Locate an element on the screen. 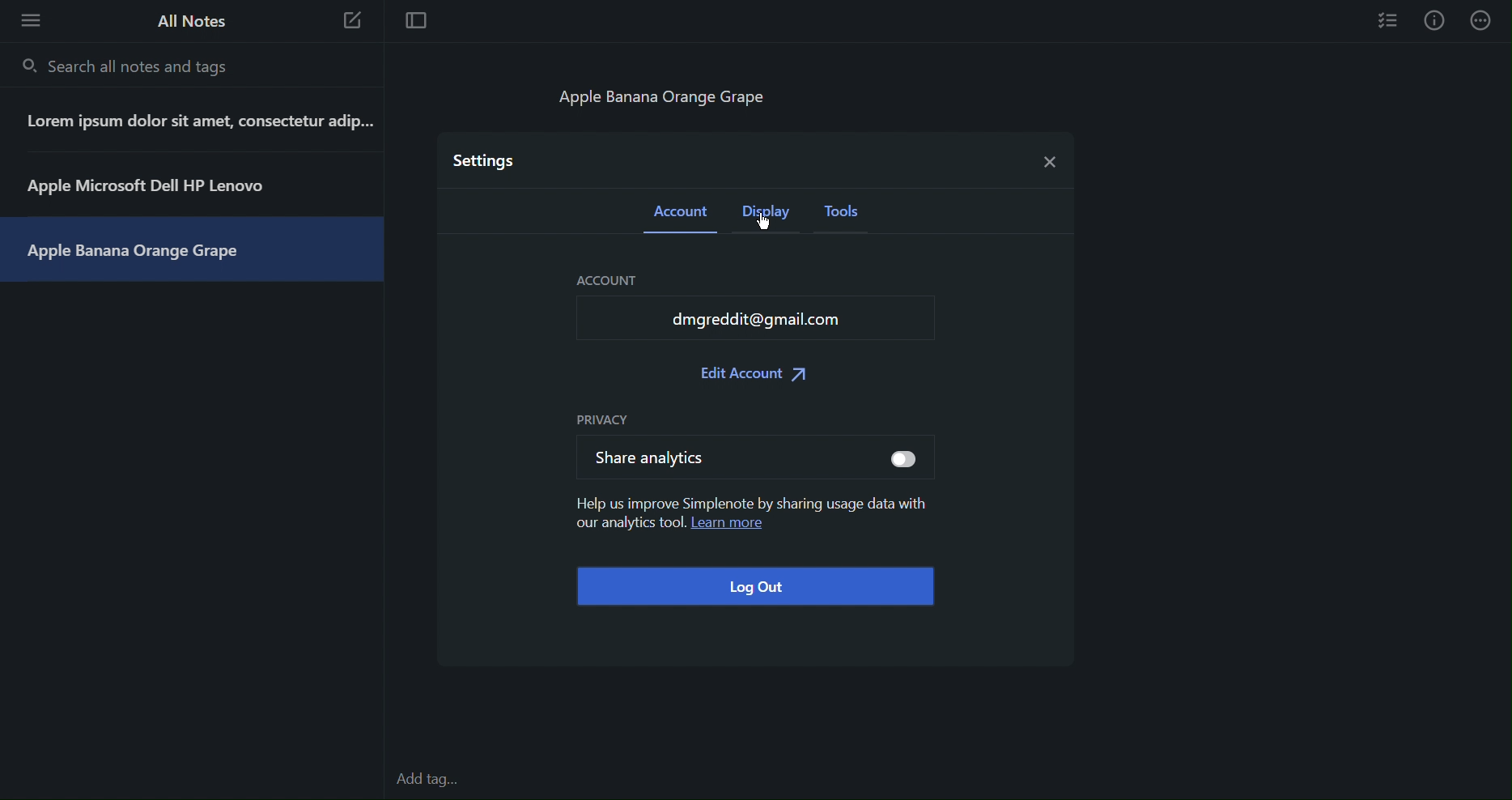  More is located at coordinates (1483, 20).